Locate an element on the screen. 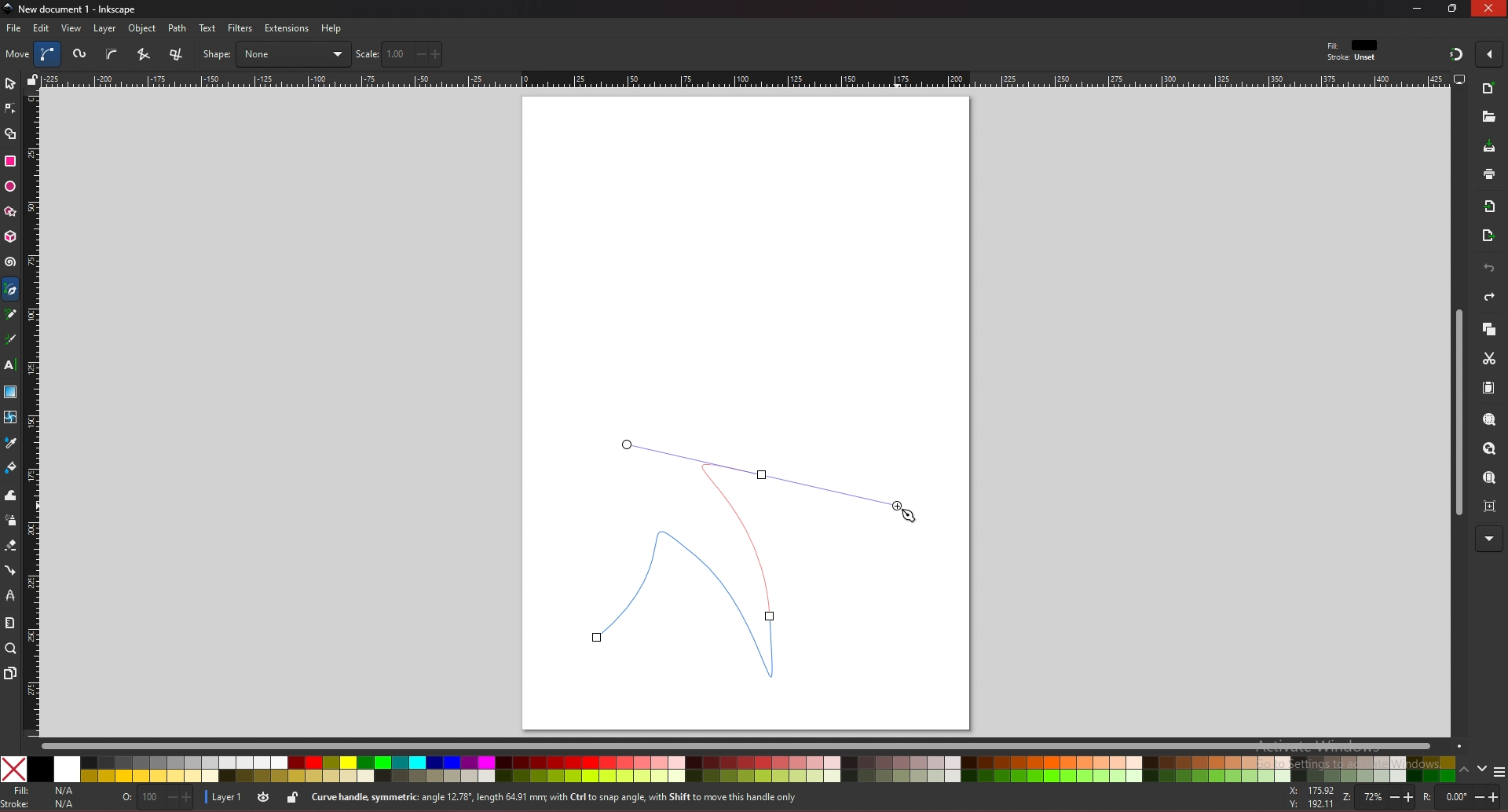  export is located at coordinates (1488, 236).